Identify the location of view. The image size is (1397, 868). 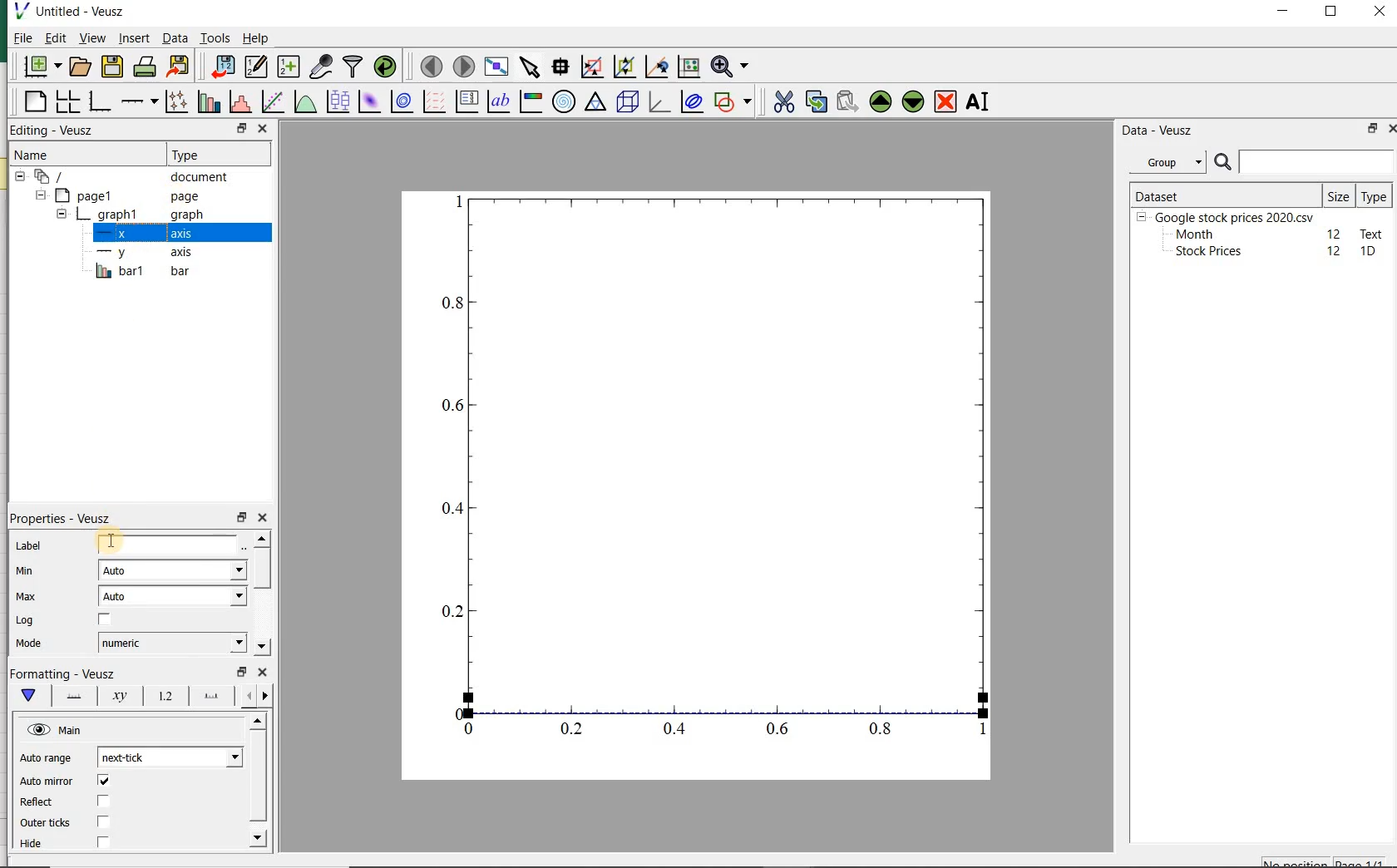
(92, 39).